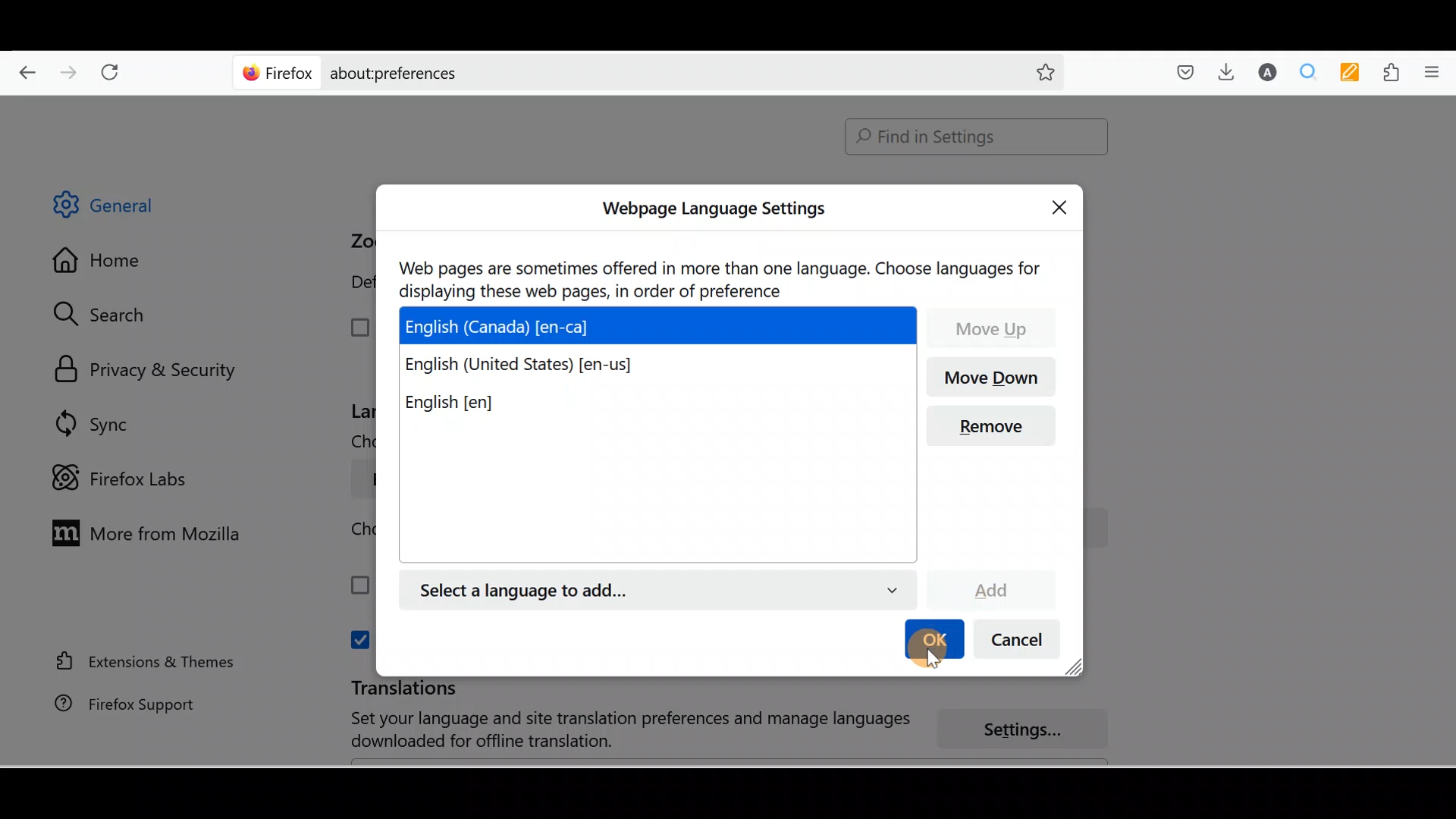  I want to click on OK, so click(932, 641).